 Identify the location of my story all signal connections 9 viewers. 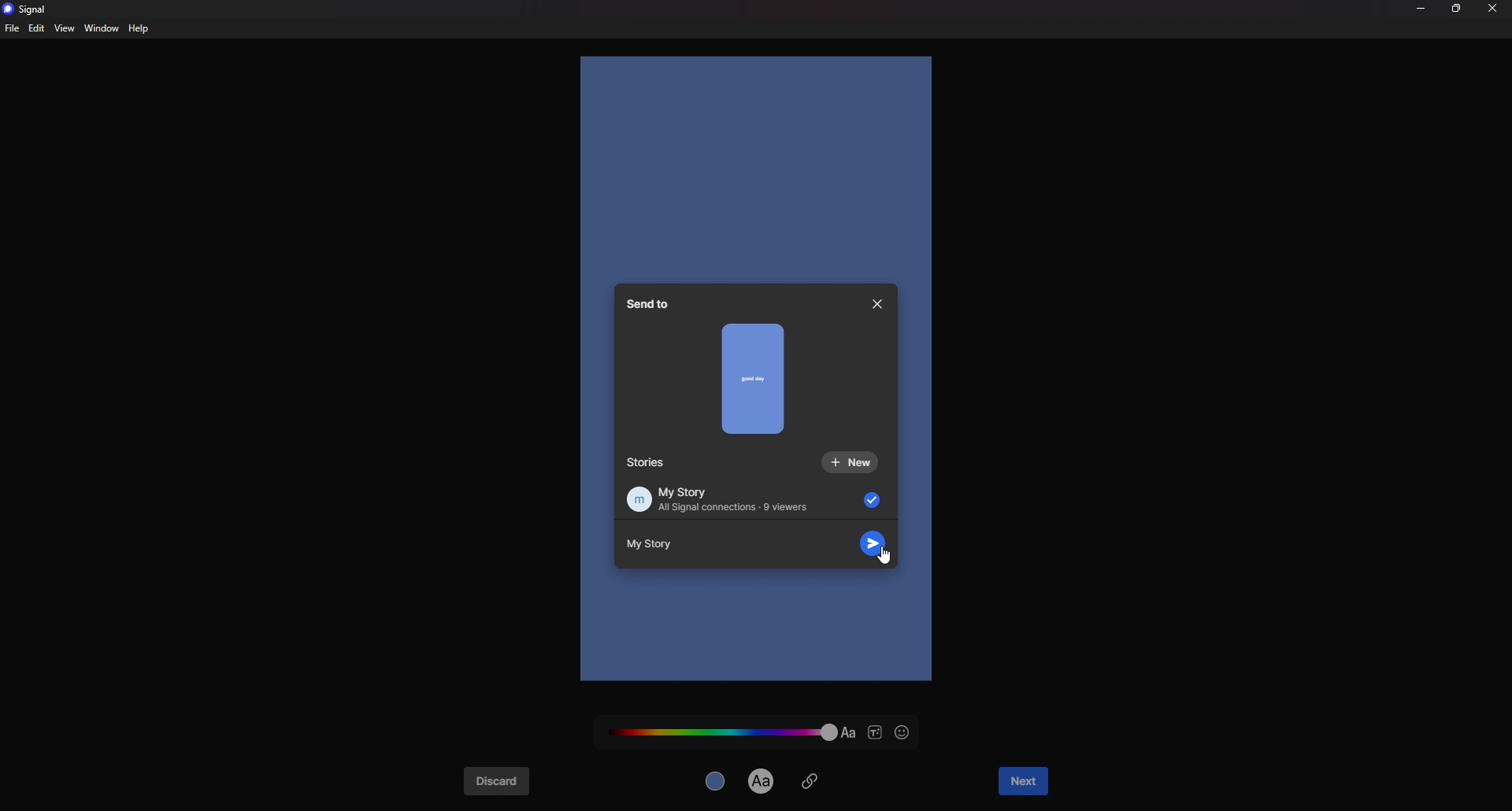
(753, 498).